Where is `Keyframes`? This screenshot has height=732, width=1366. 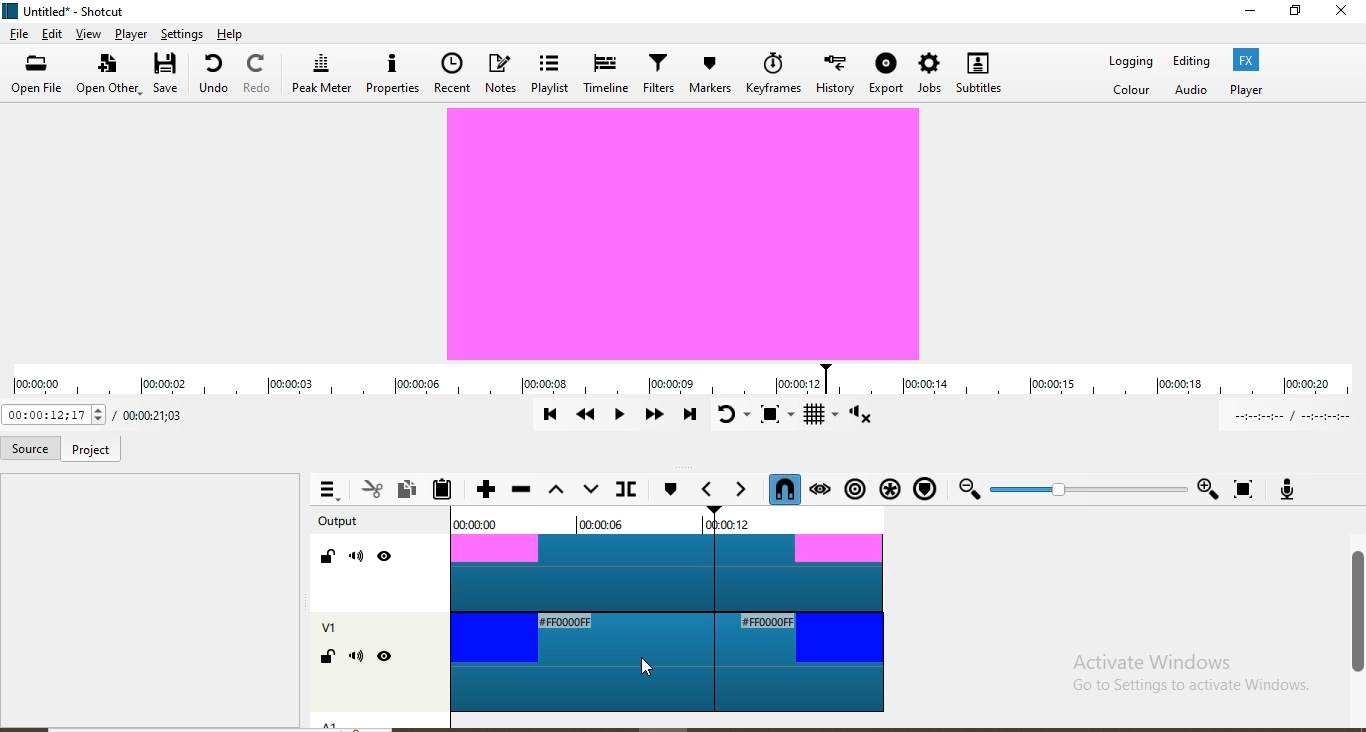 Keyframes is located at coordinates (773, 73).